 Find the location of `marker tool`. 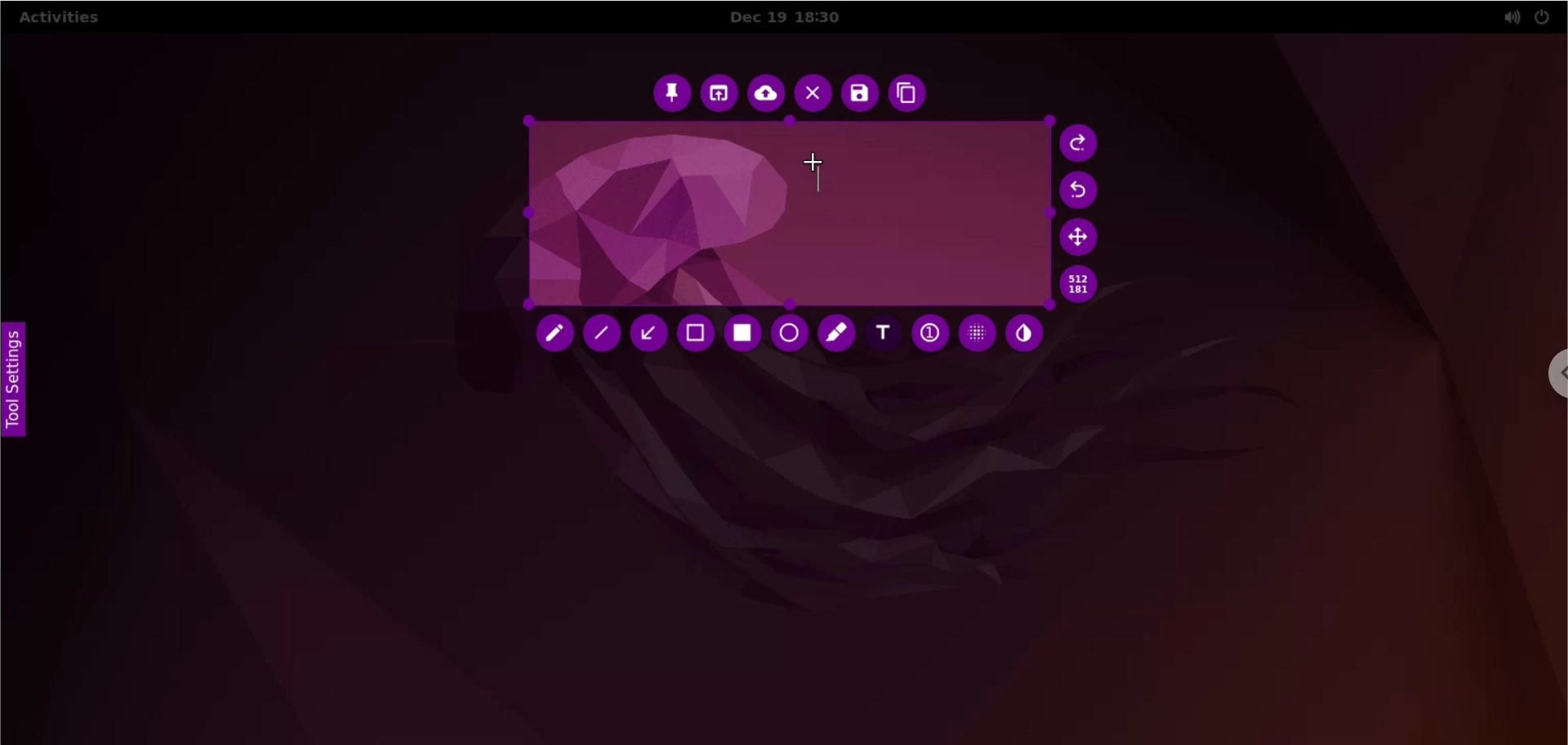

marker tool is located at coordinates (836, 336).